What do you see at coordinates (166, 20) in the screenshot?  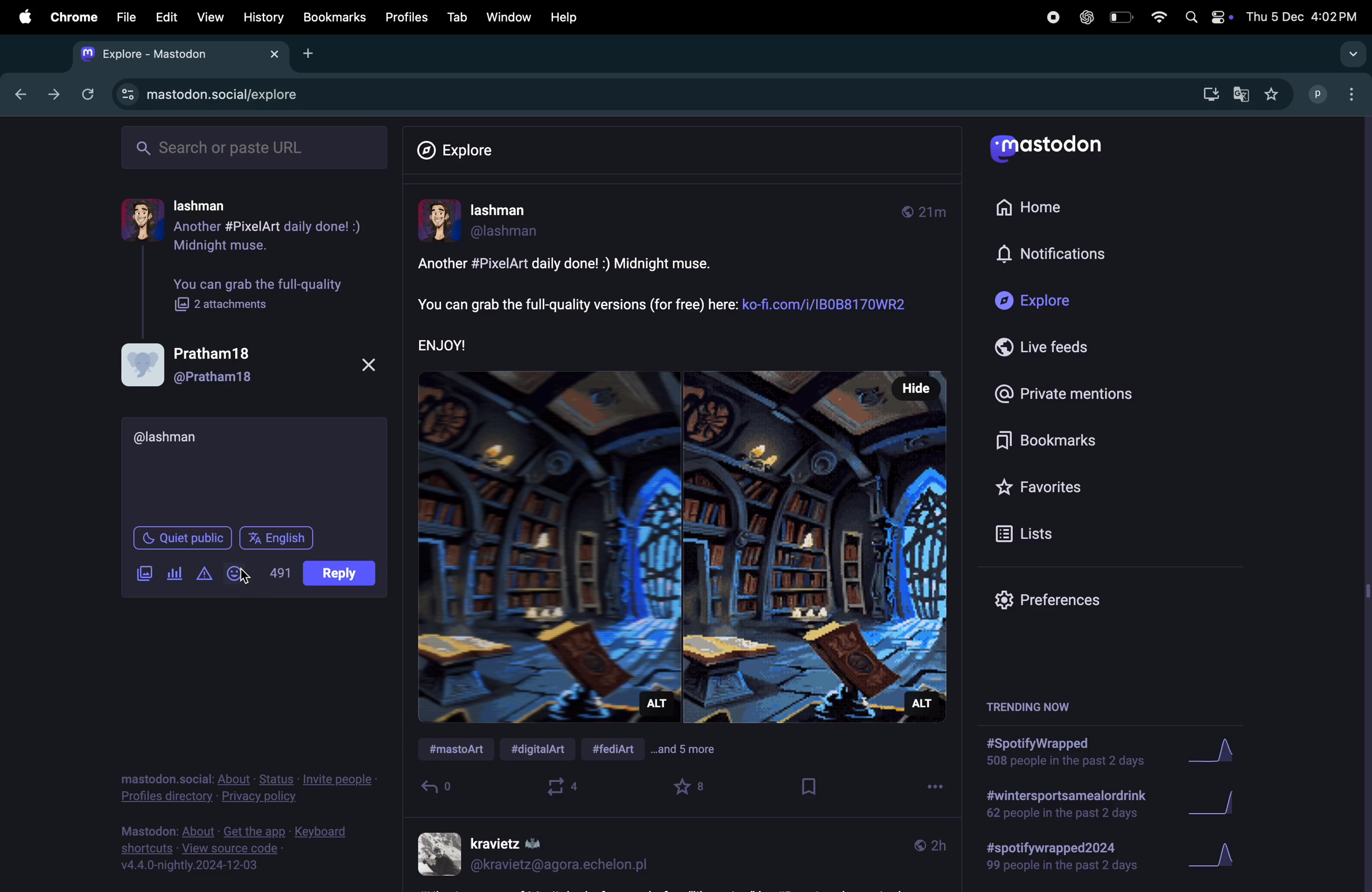 I see `Edit` at bounding box center [166, 20].